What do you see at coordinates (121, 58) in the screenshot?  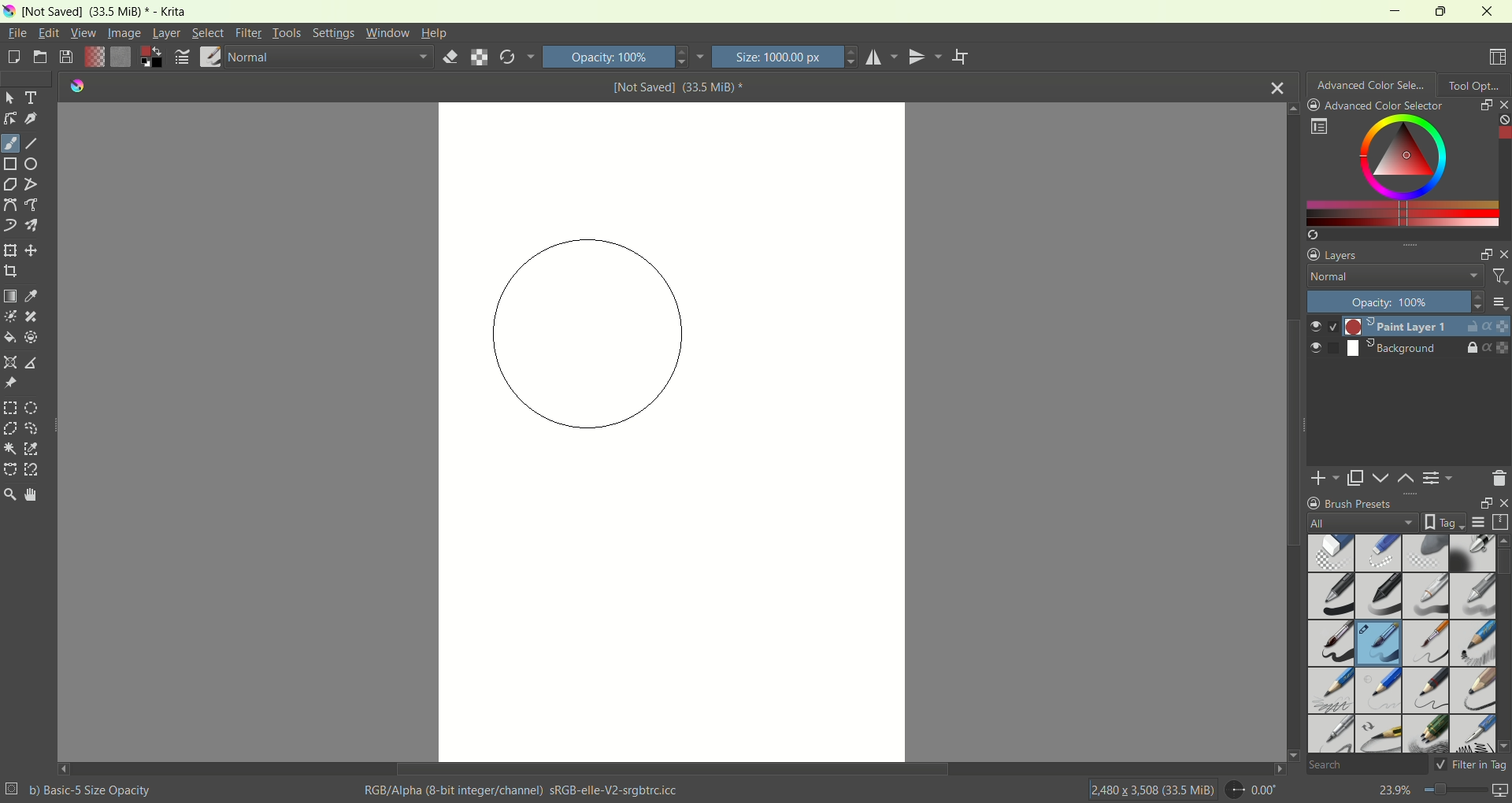 I see `fill pattern` at bounding box center [121, 58].